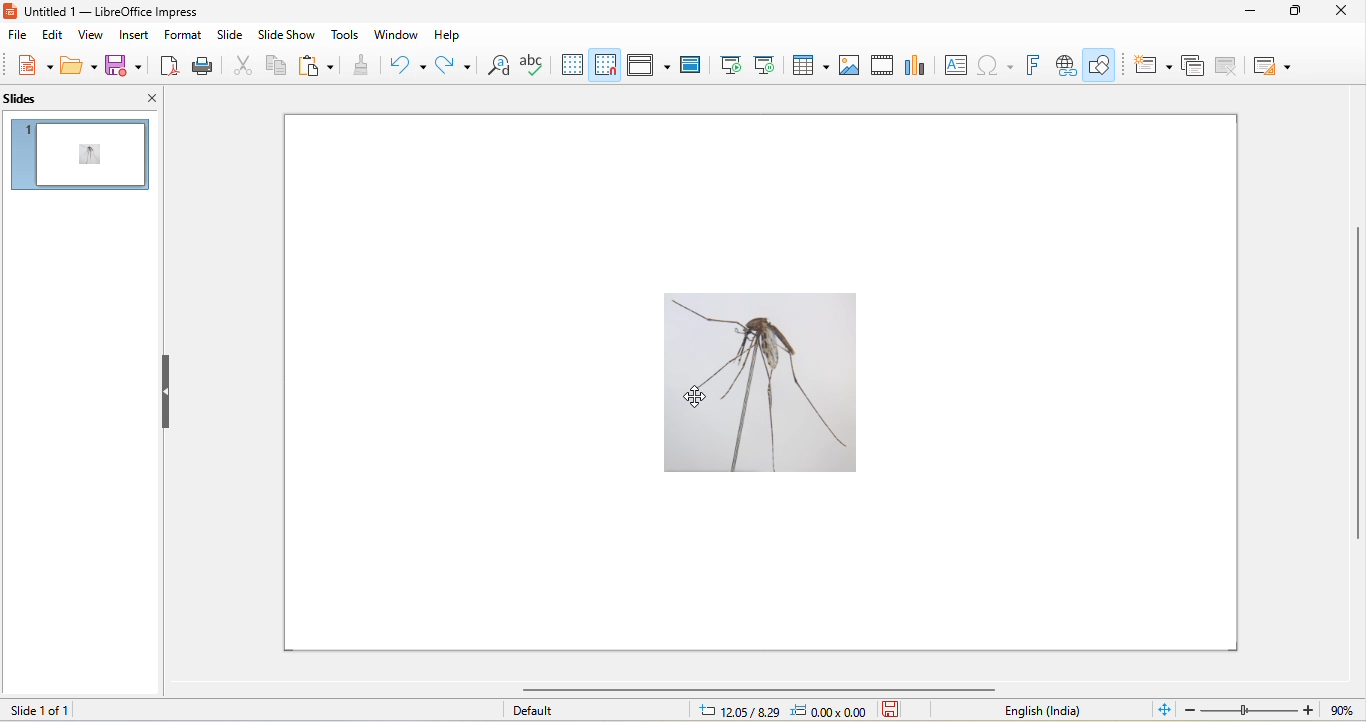 The width and height of the screenshot is (1366, 722). Describe the element at coordinates (344, 36) in the screenshot. I see `tools` at that location.